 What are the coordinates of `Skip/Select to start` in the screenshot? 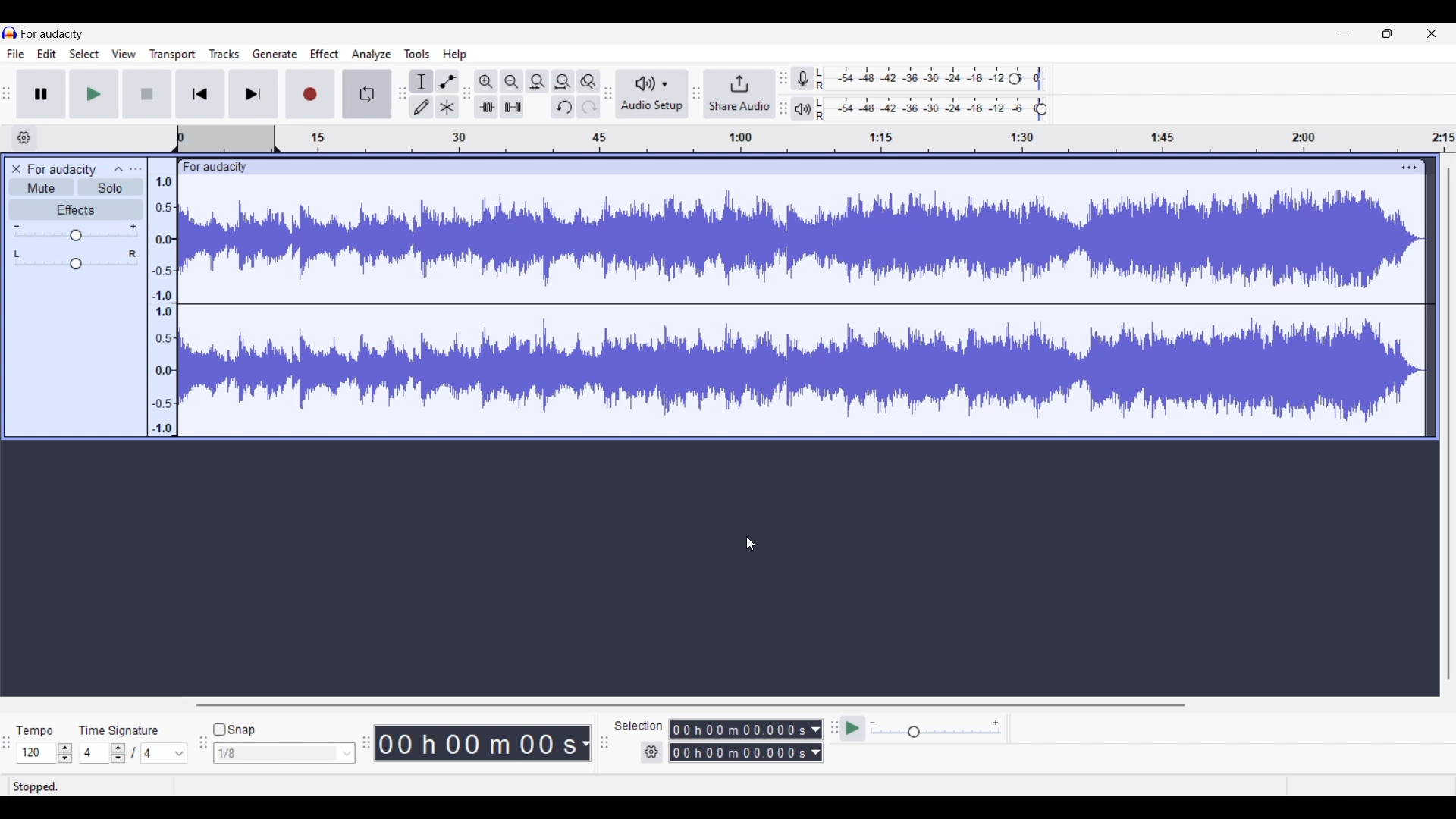 It's located at (201, 94).